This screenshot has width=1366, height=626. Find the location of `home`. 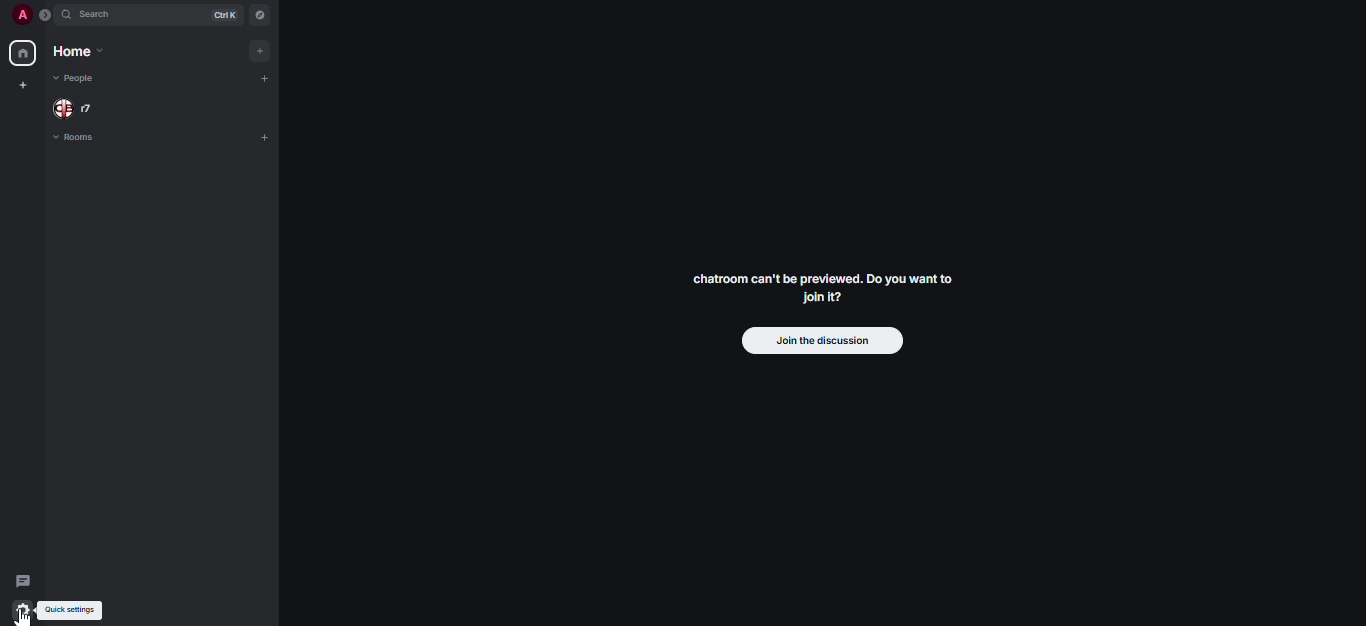

home is located at coordinates (23, 53).